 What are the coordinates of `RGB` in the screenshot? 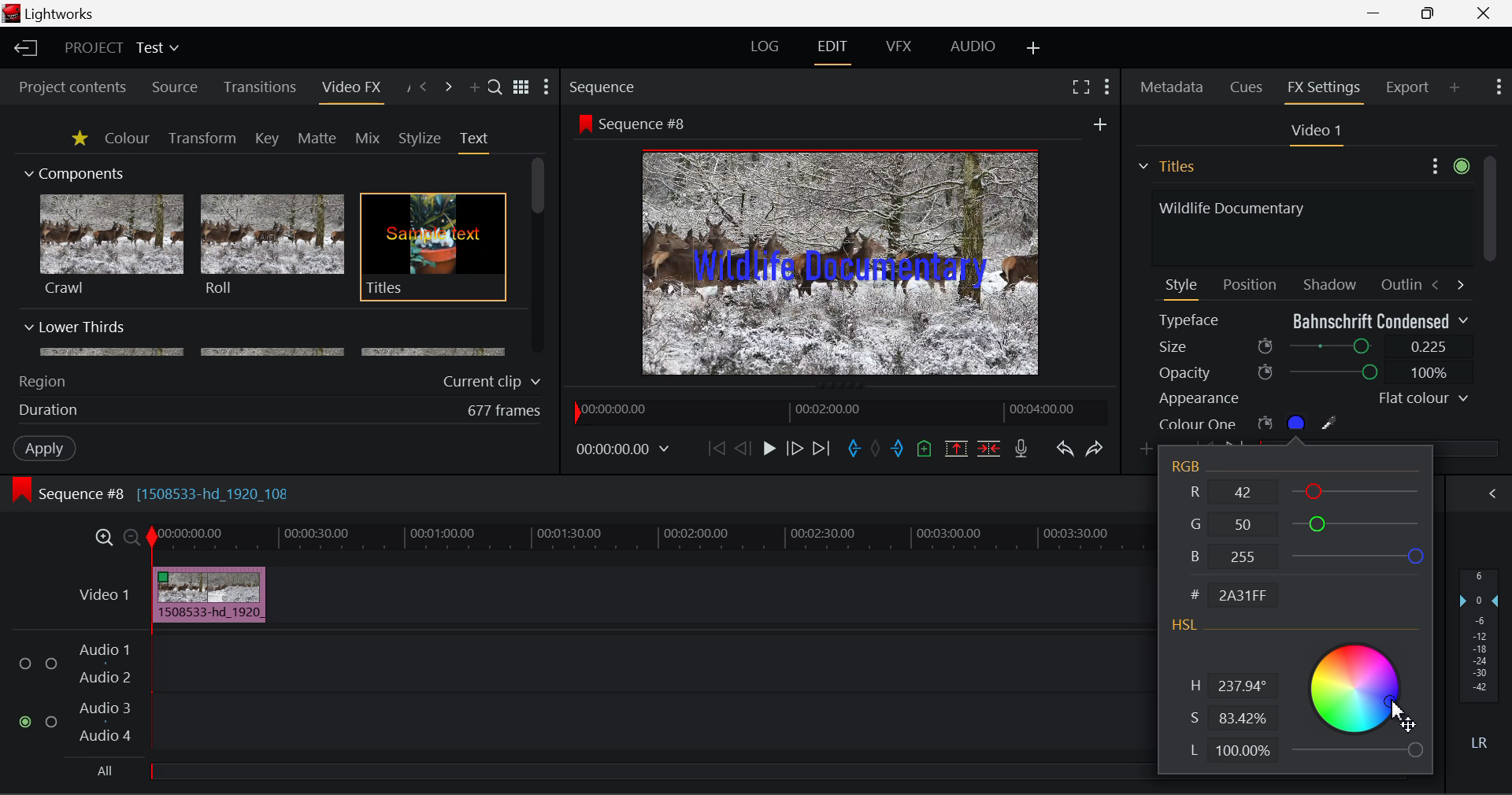 It's located at (1189, 467).